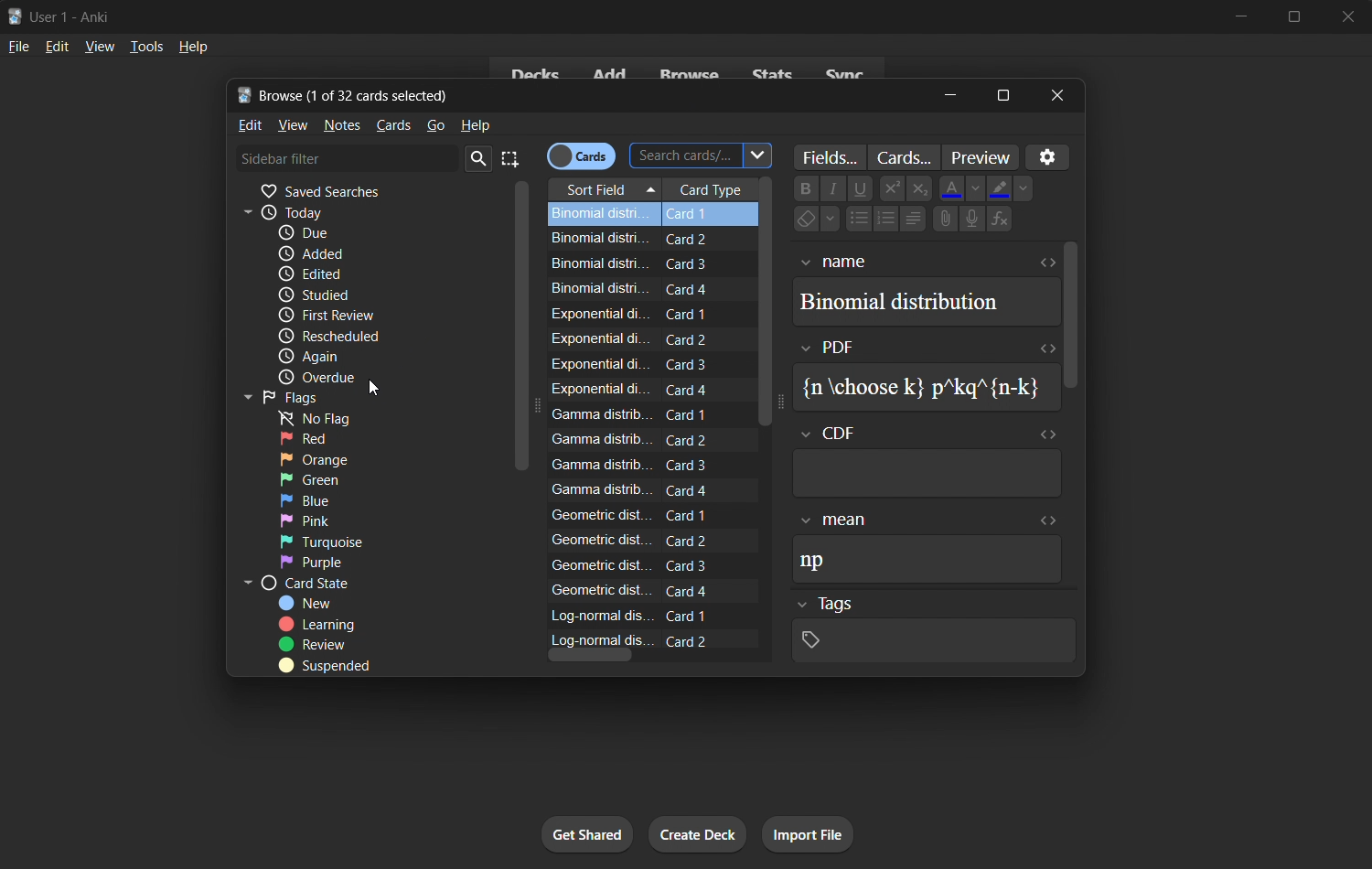 The height and width of the screenshot is (869, 1372). What do you see at coordinates (922, 187) in the screenshot?
I see `subscript` at bounding box center [922, 187].